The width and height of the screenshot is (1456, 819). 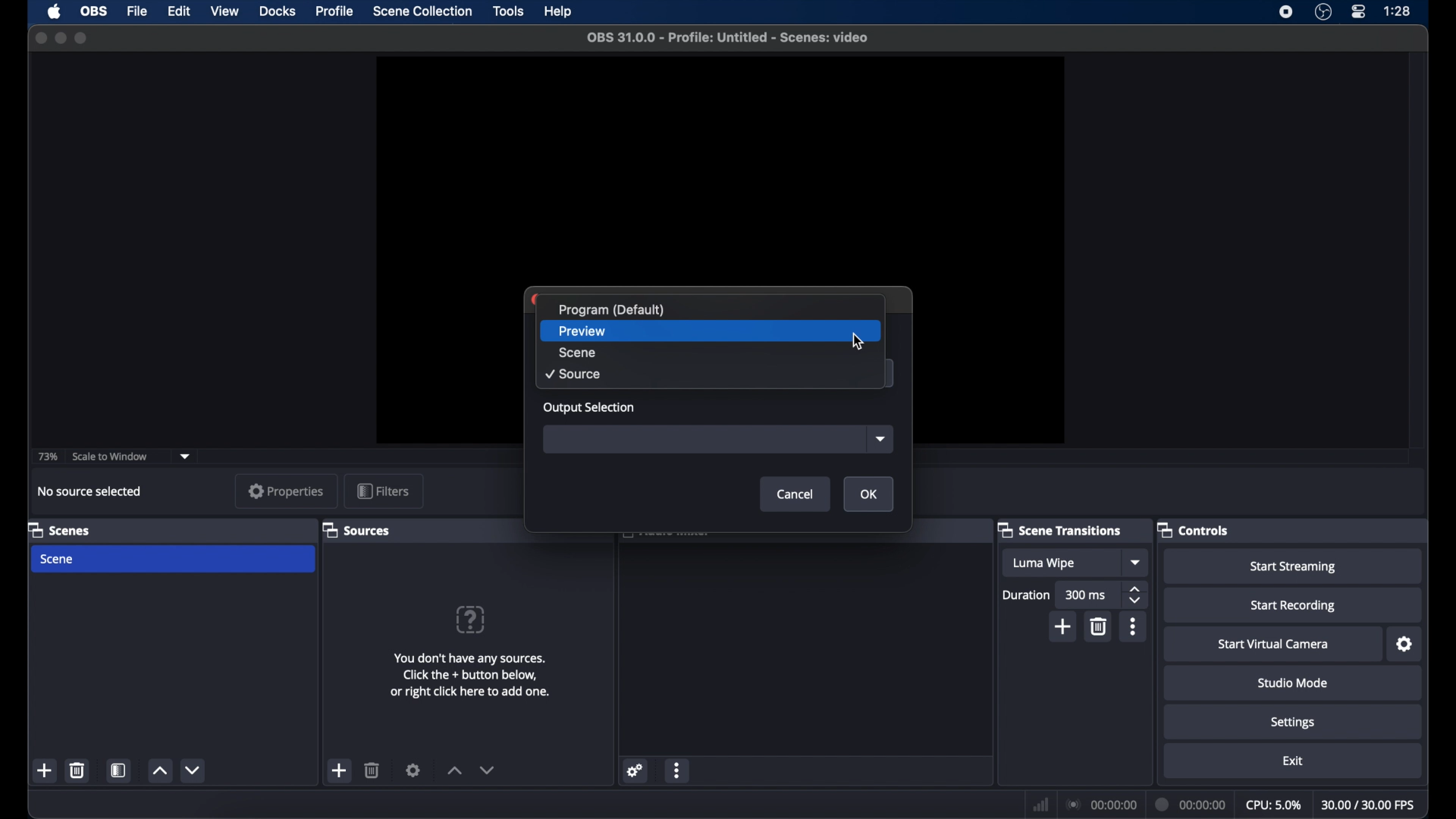 I want to click on sources, so click(x=359, y=531).